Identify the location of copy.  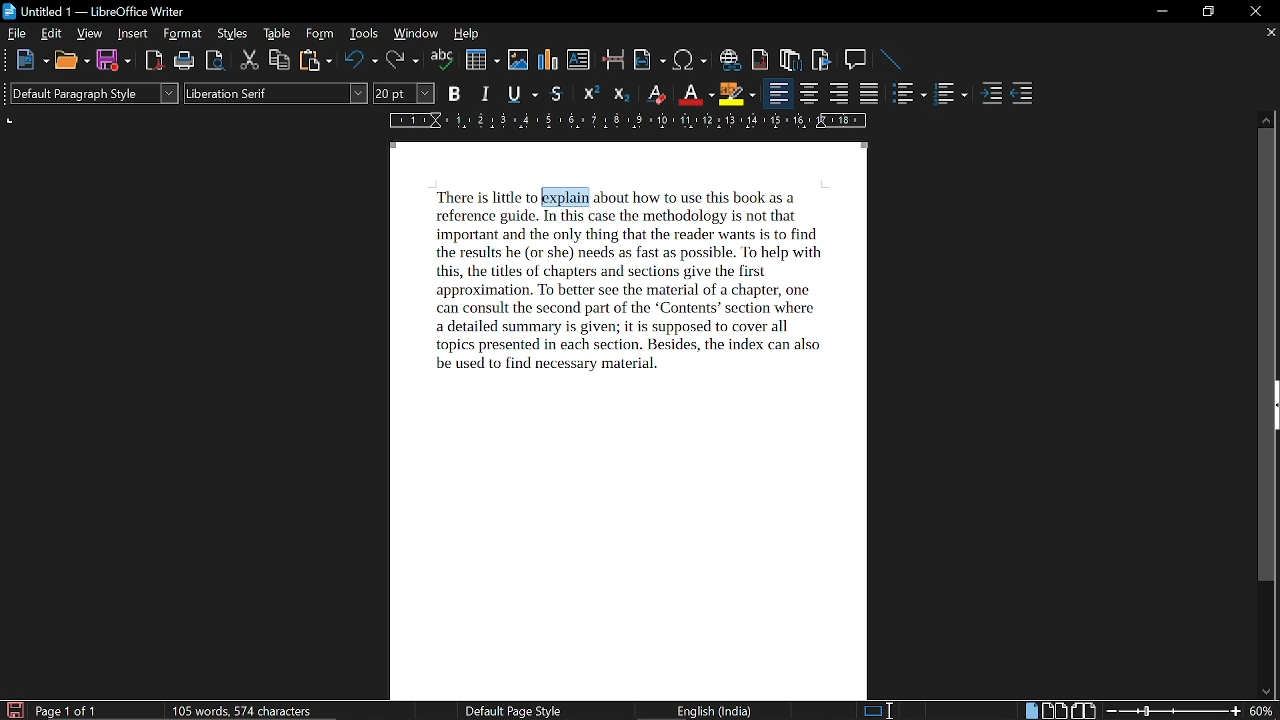
(280, 61).